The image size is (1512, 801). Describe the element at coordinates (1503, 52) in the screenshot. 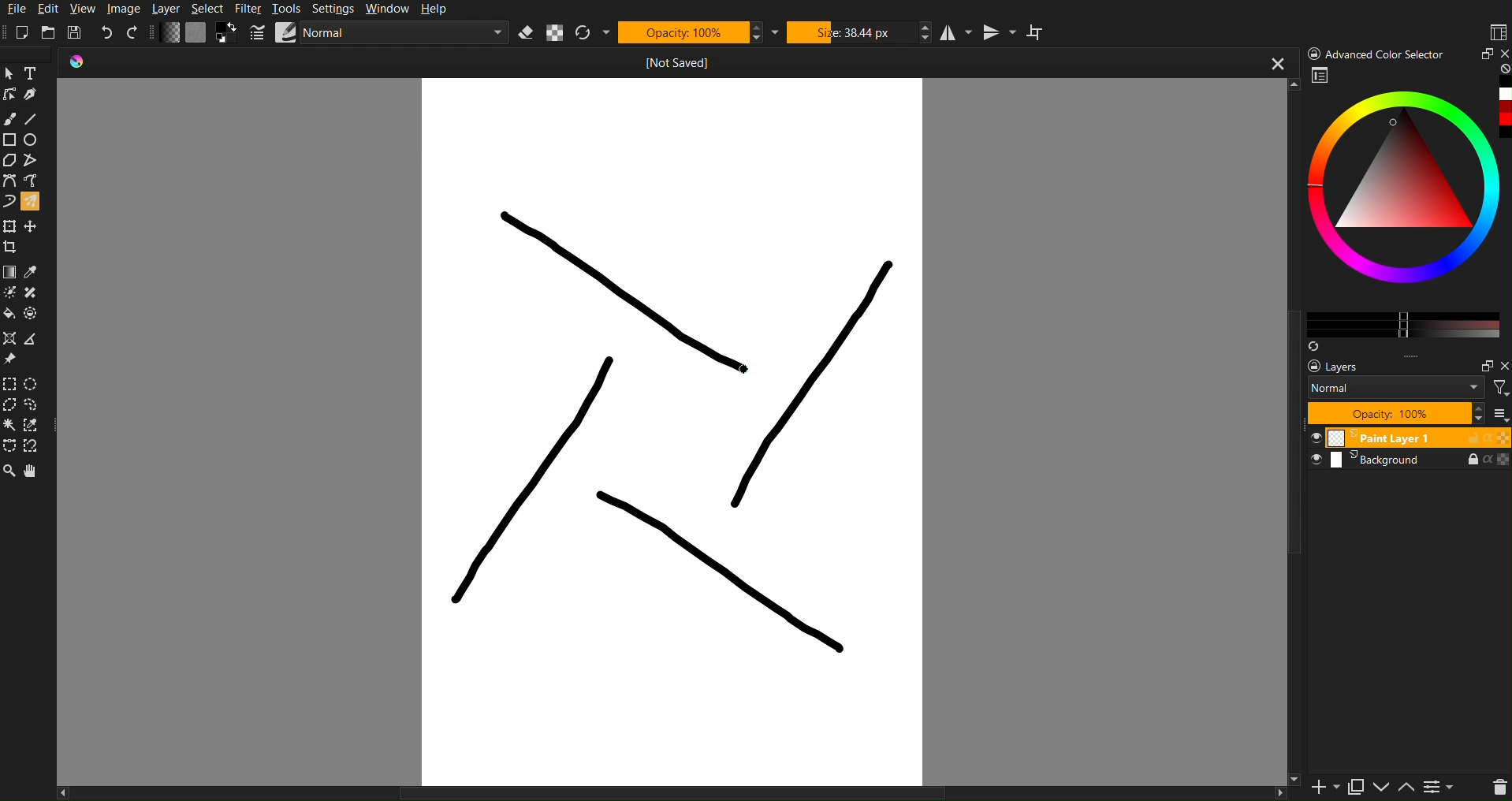

I see `close` at that location.